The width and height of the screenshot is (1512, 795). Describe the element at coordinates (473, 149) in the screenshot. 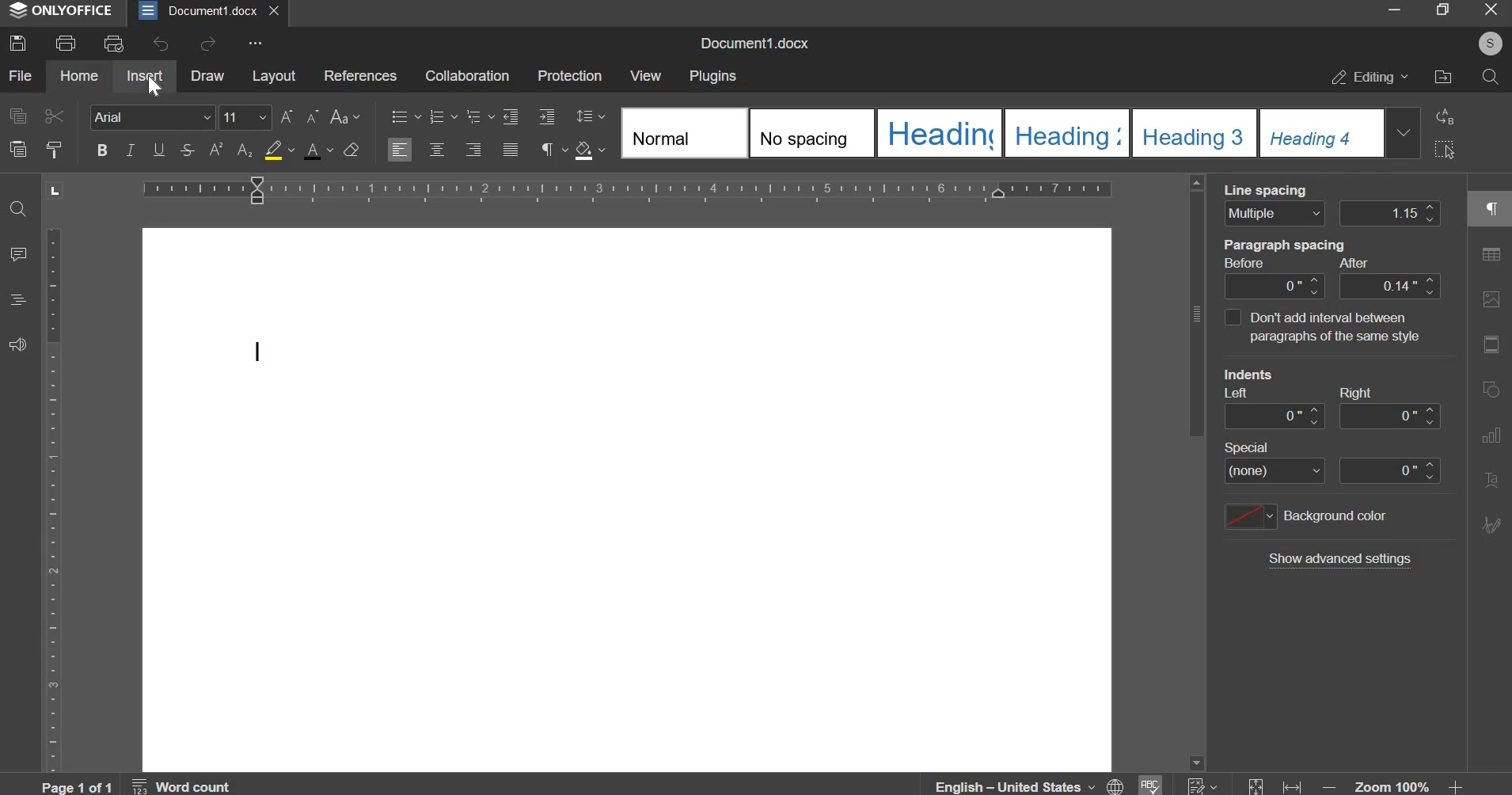

I see `align left` at that location.